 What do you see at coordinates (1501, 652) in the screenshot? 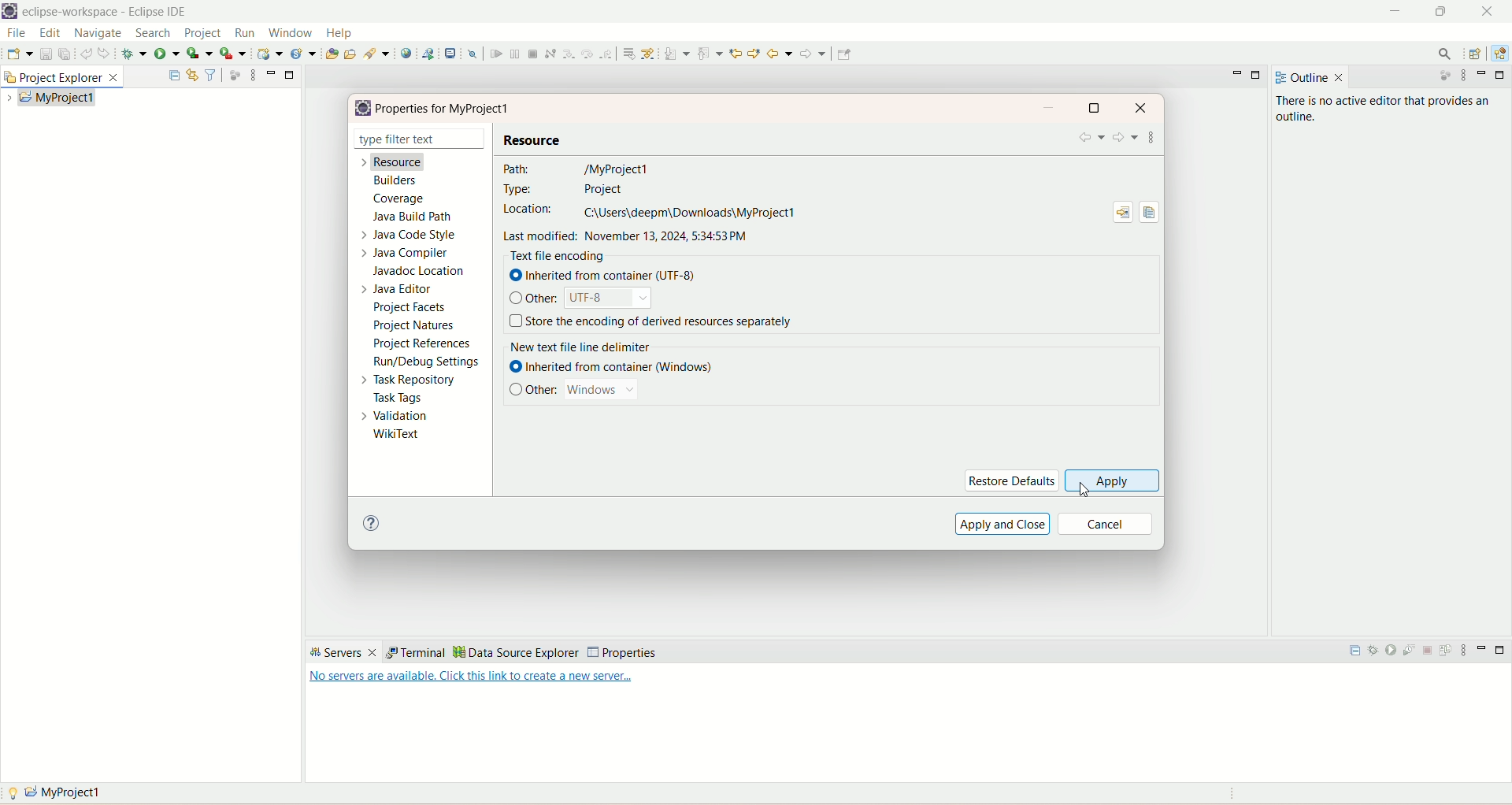
I see `maximize` at bounding box center [1501, 652].